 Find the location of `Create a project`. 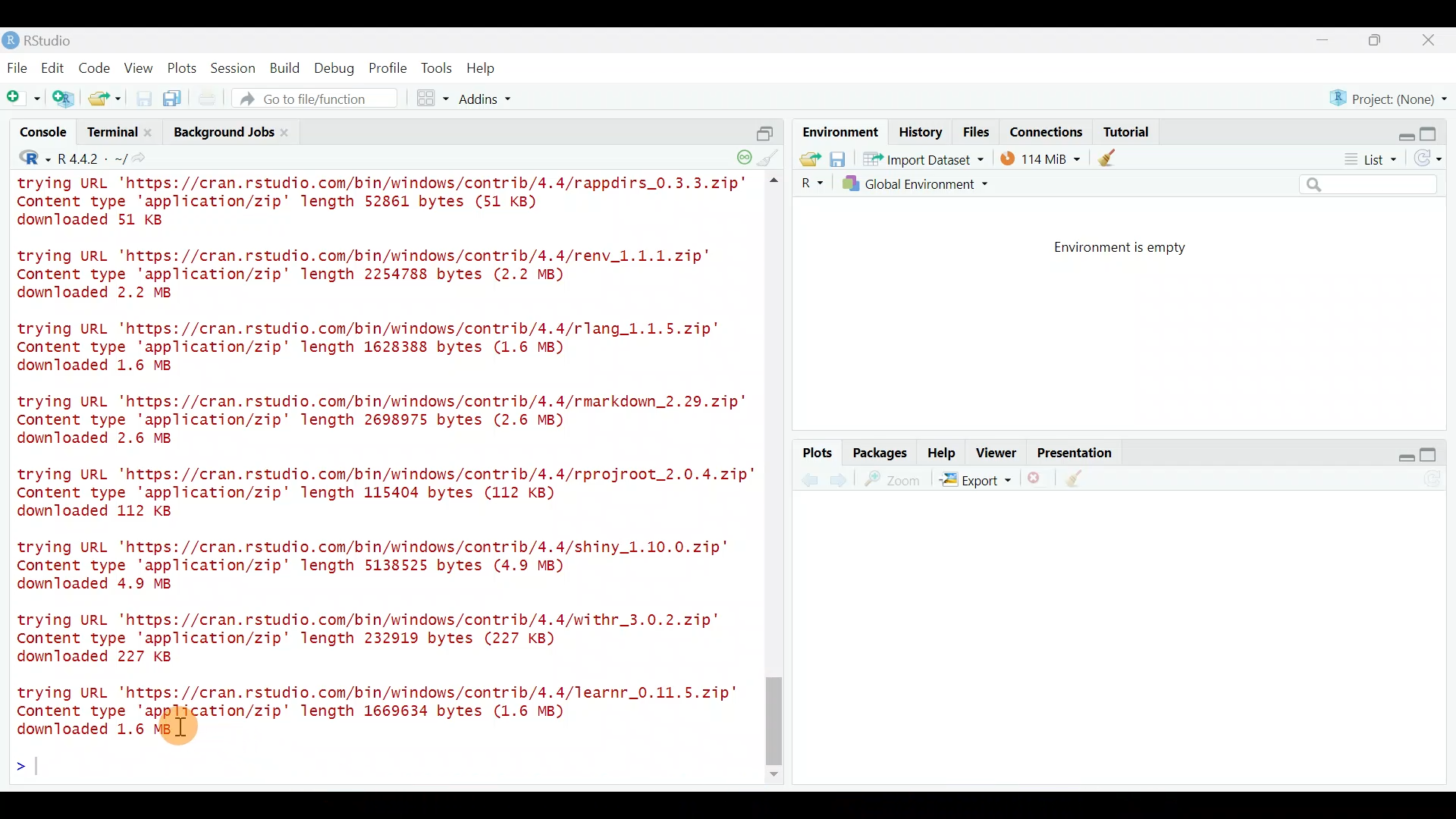

Create a project is located at coordinates (65, 99).